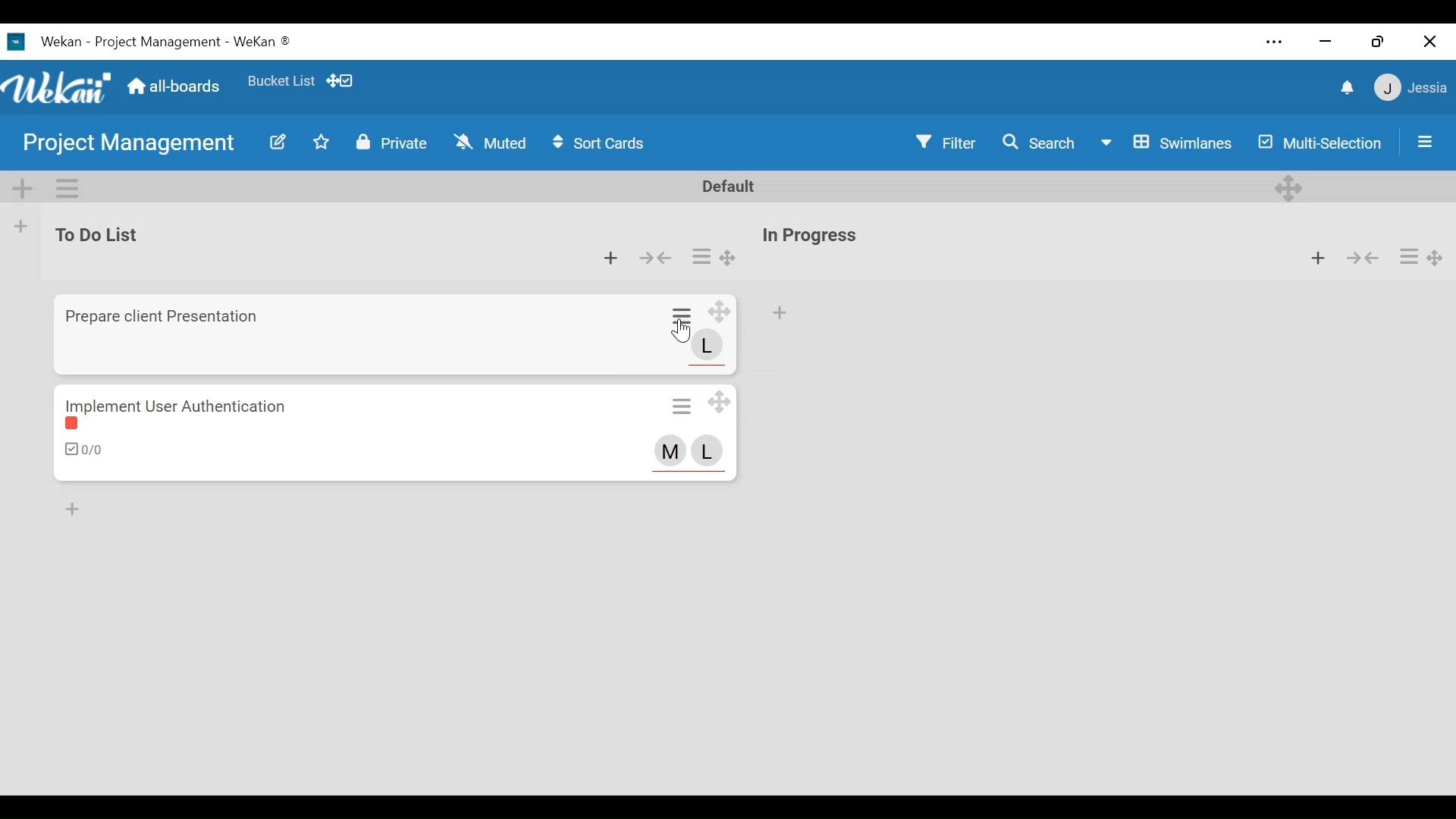 The width and height of the screenshot is (1456, 819). I want to click on Member, so click(708, 346).